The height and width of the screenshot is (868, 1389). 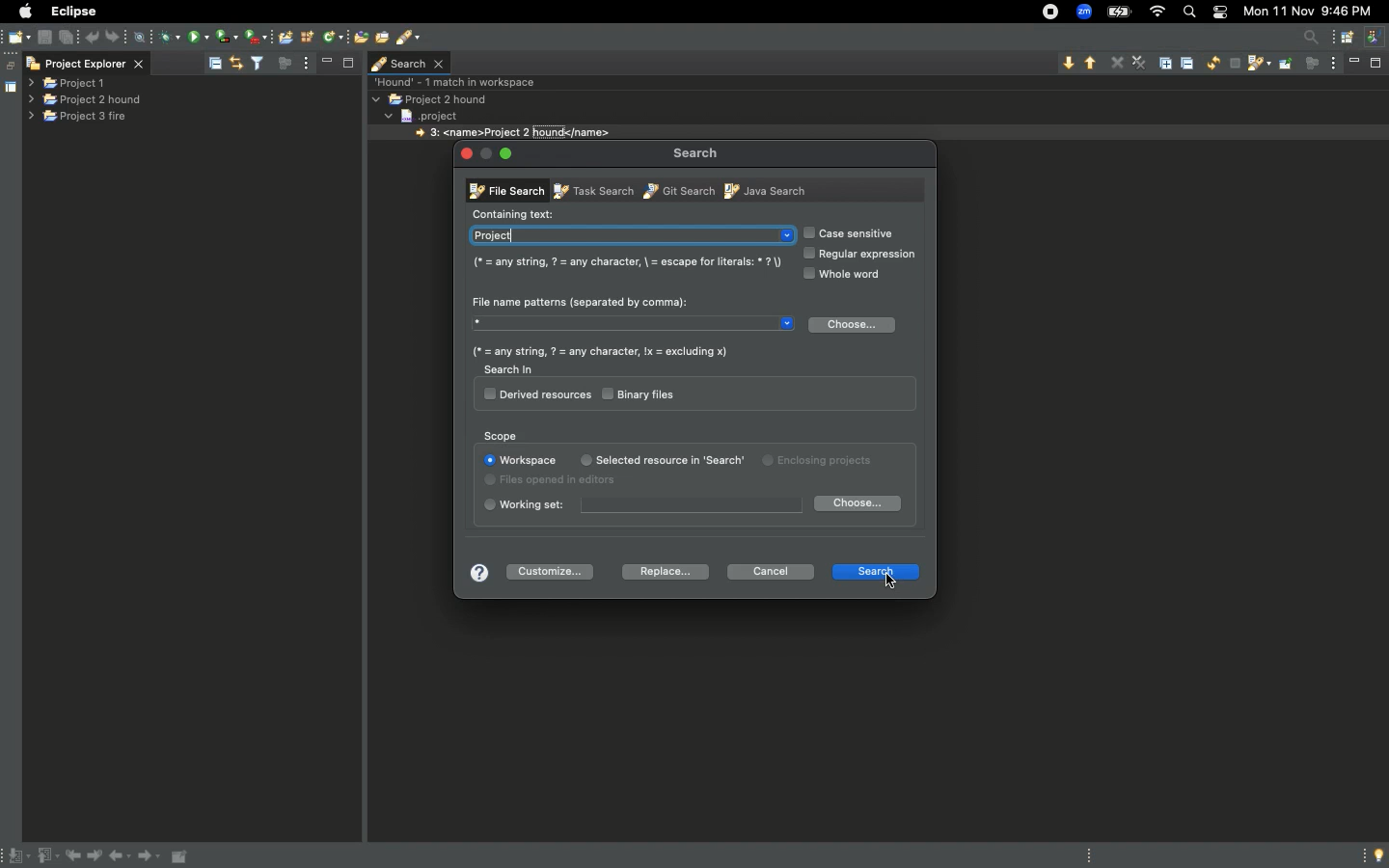 I want to click on undo, so click(x=92, y=36).